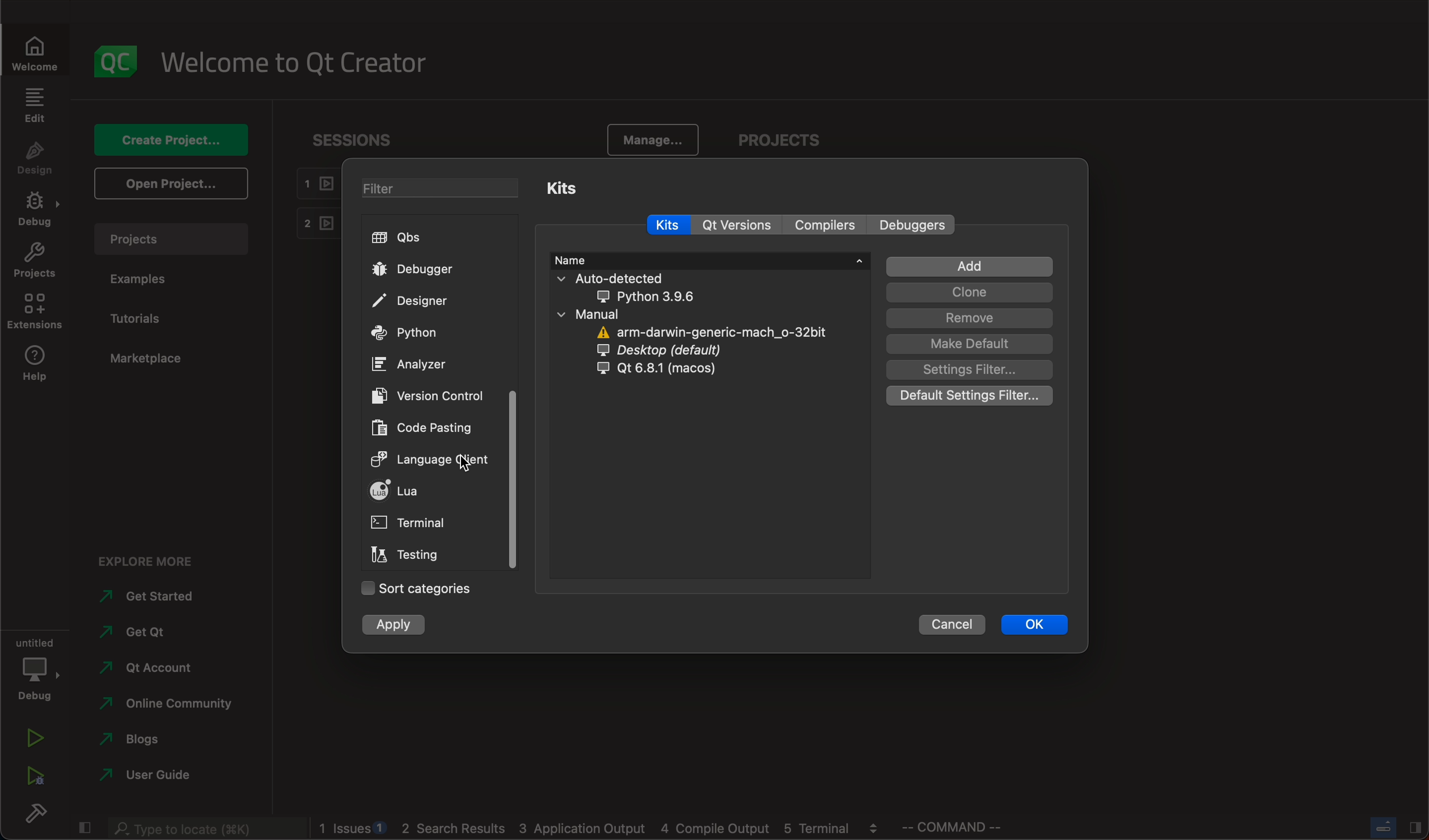 The width and height of the screenshot is (1429, 840). I want to click on build, so click(40, 816).